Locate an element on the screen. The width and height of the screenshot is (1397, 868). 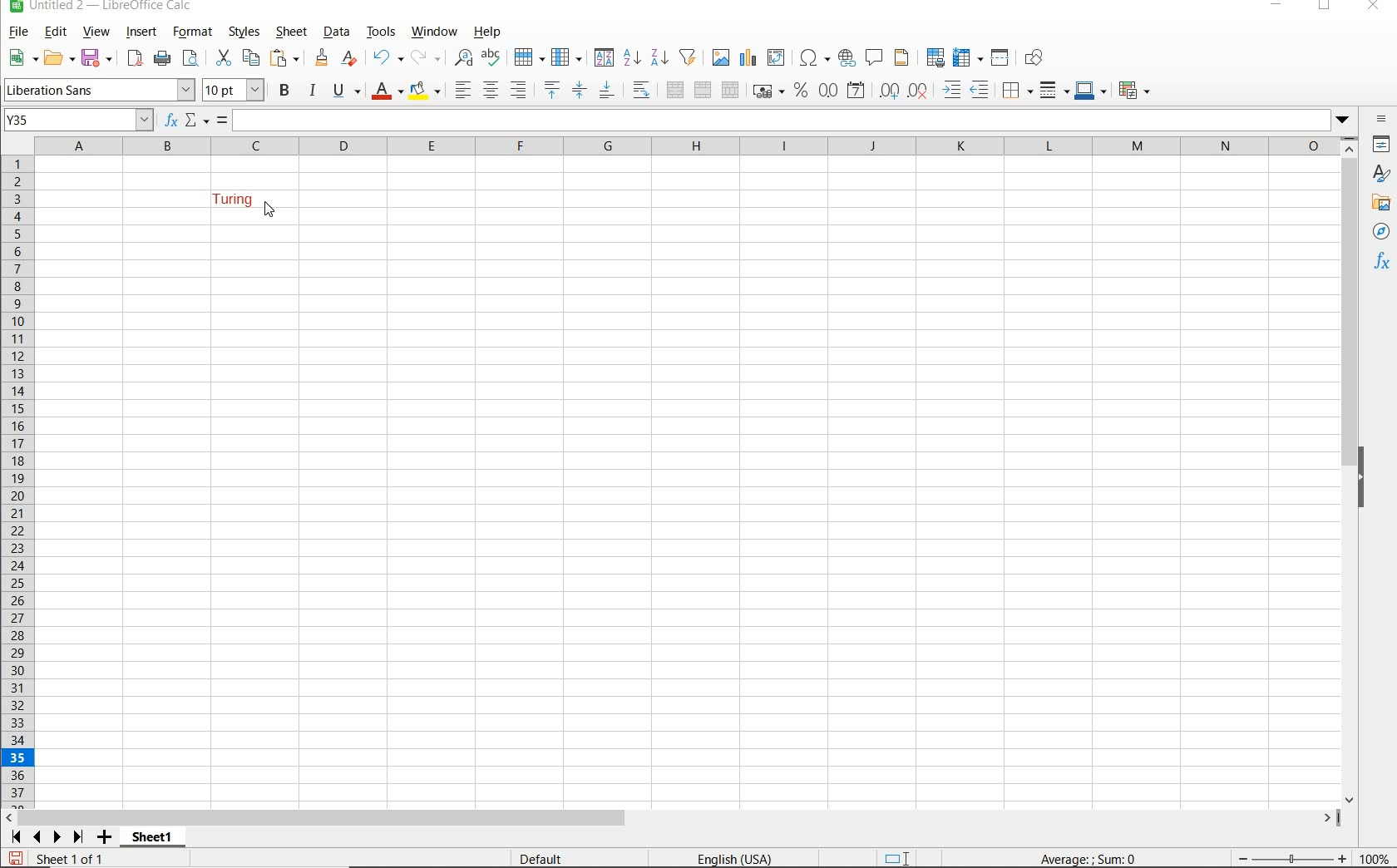
INSERT is located at coordinates (143, 33).